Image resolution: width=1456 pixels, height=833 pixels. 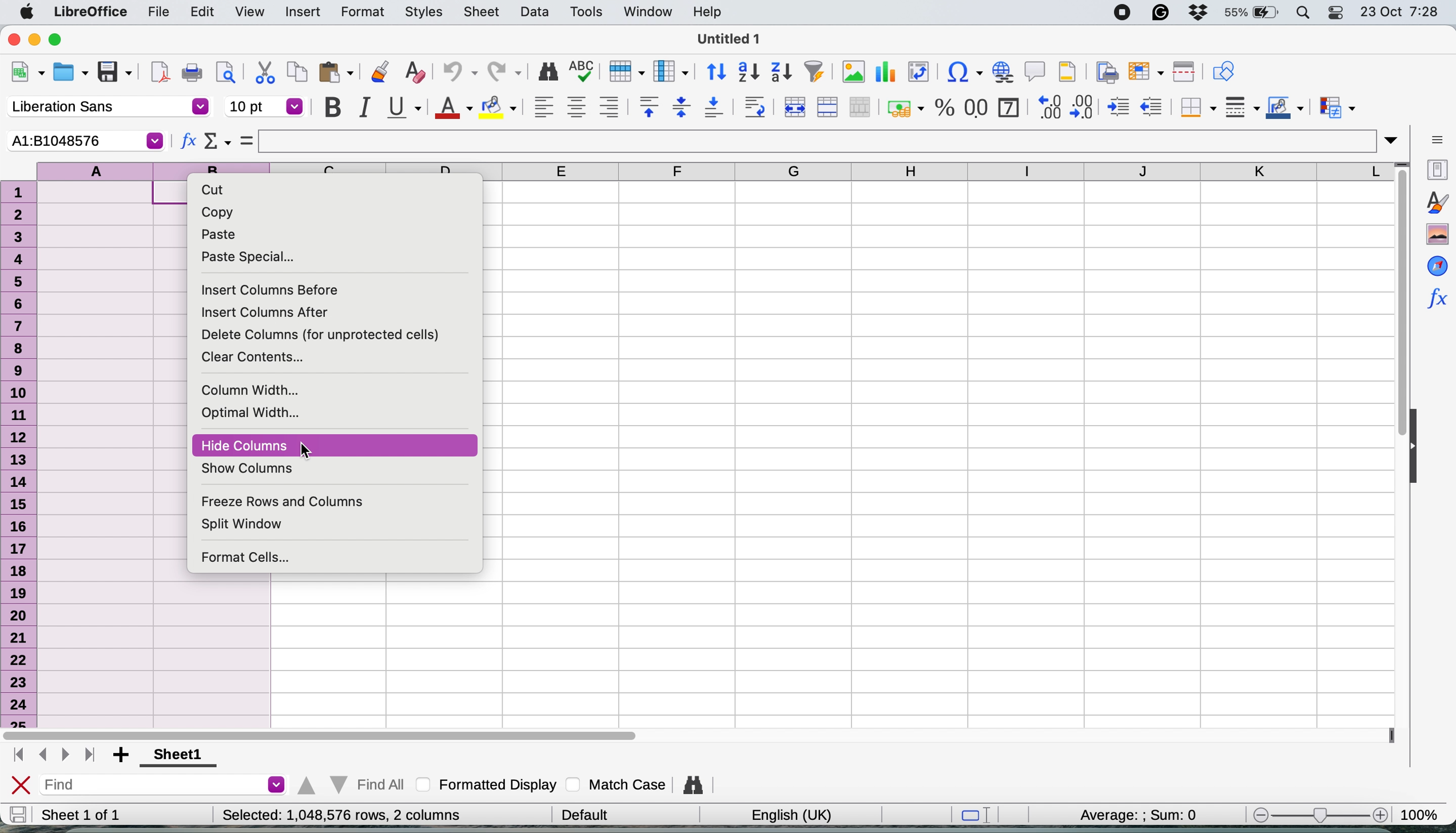 I want to click on merge, so click(x=827, y=107).